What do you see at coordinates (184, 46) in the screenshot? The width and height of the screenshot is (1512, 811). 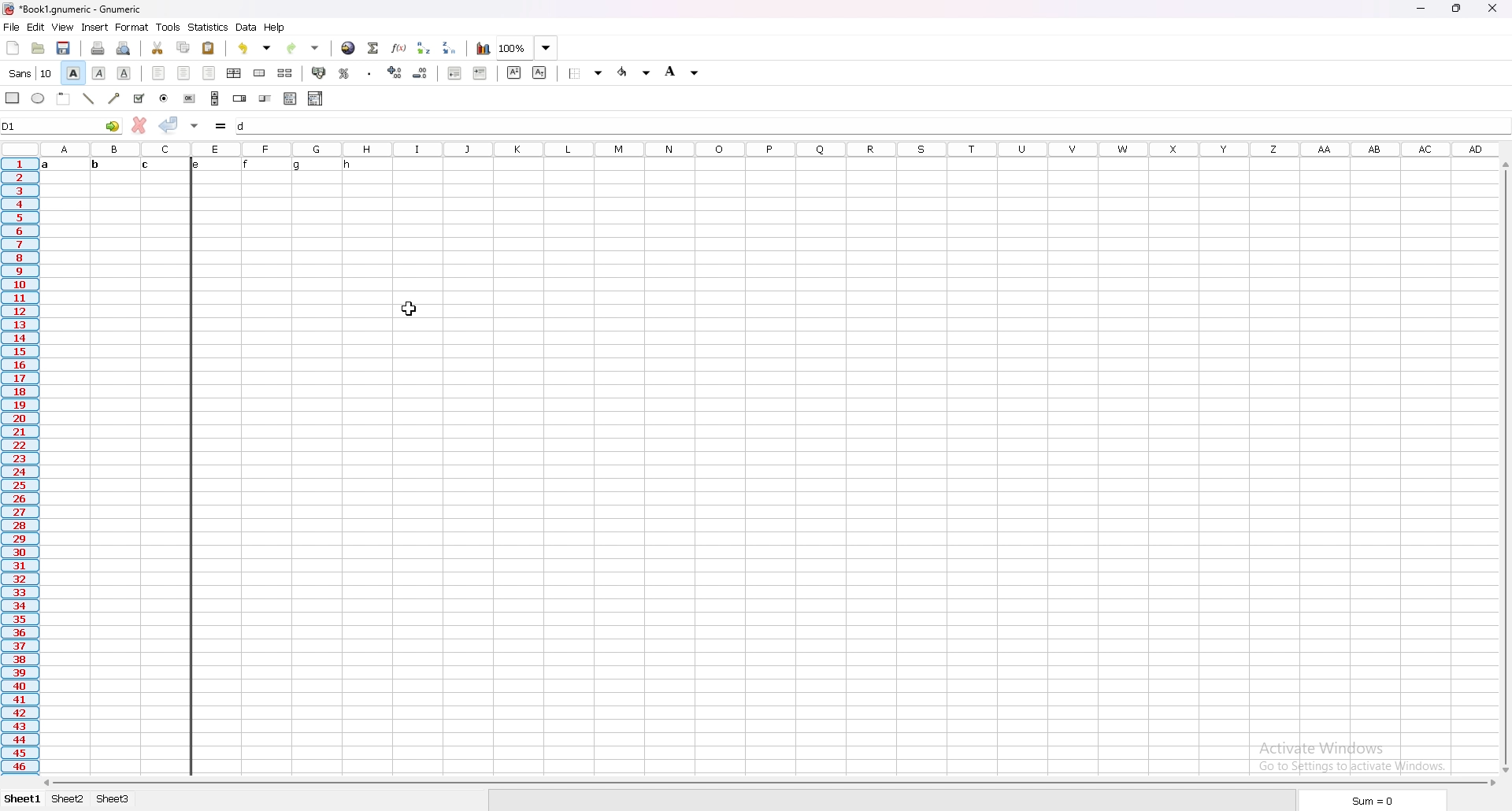 I see `copy` at bounding box center [184, 46].